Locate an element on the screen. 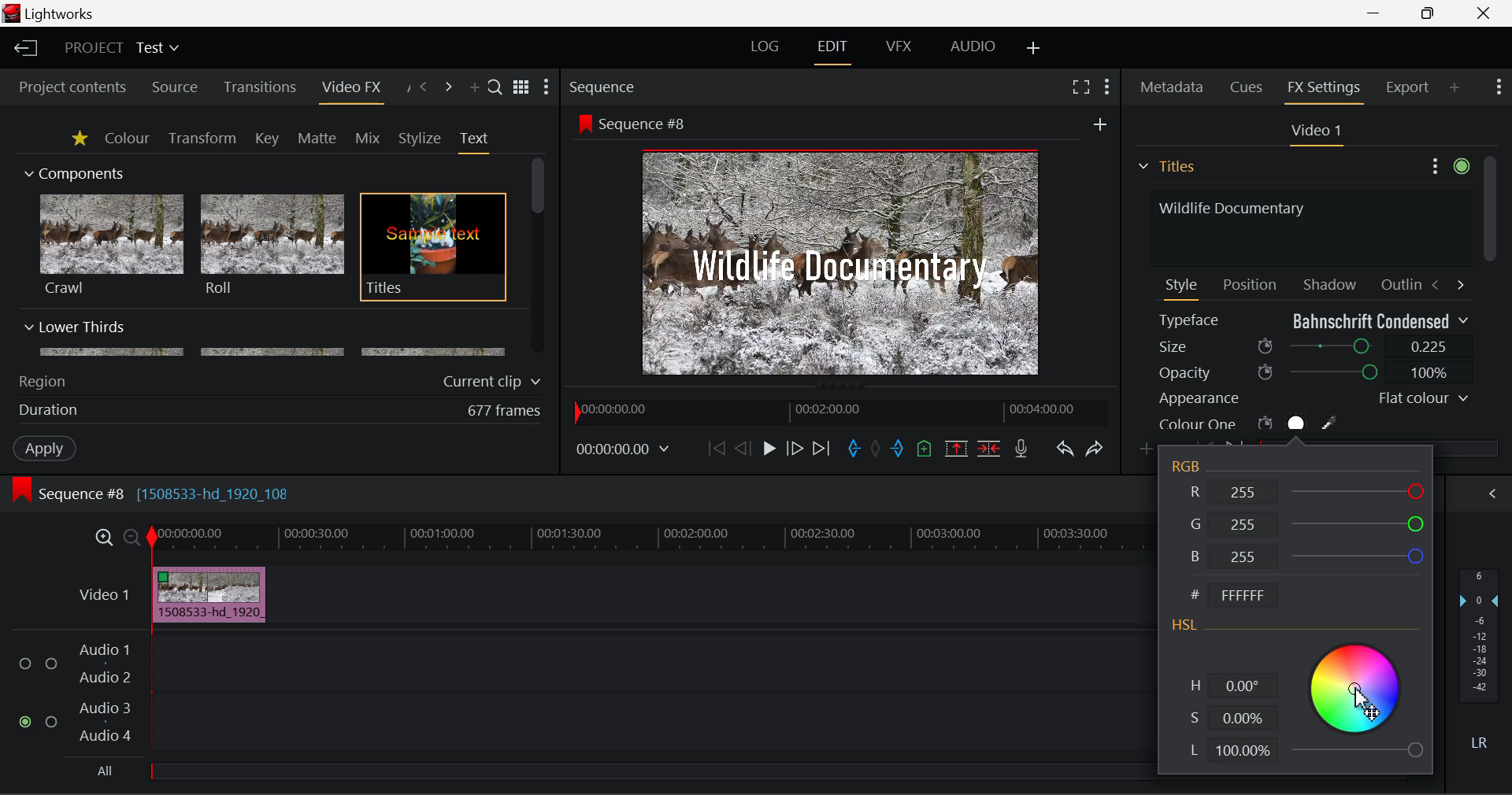  Show Audio Mix is located at coordinates (1490, 494).